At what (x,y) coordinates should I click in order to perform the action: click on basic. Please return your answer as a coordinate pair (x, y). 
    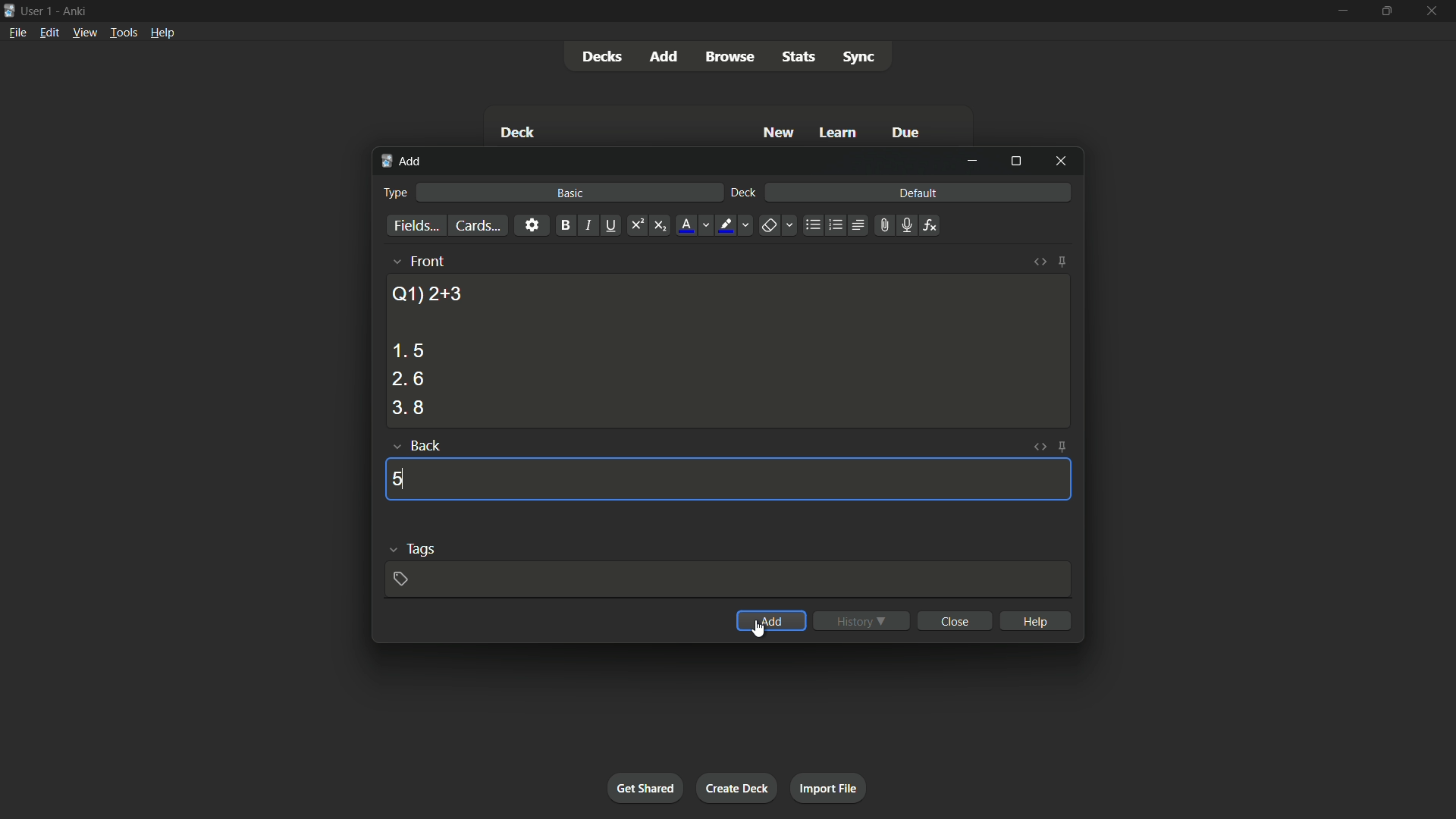
    Looking at the image, I should click on (571, 193).